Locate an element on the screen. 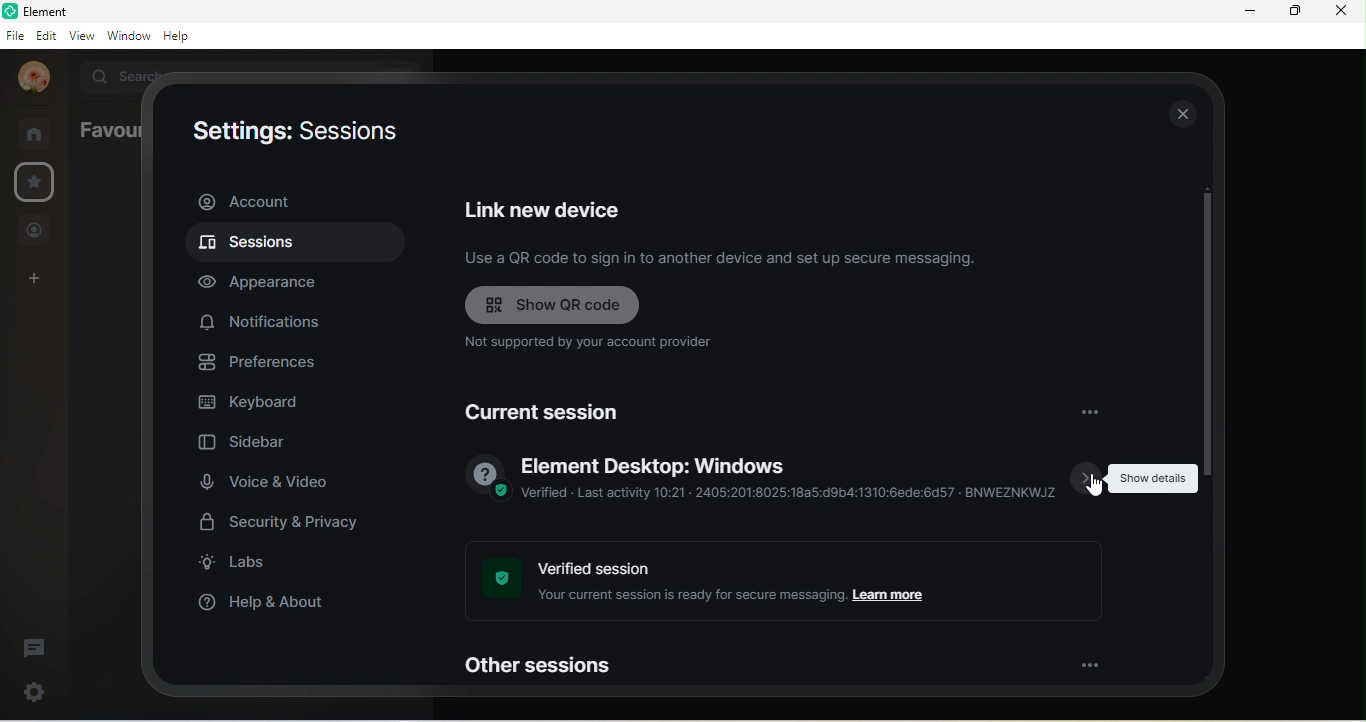  cursor movement is located at coordinates (1094, 487).